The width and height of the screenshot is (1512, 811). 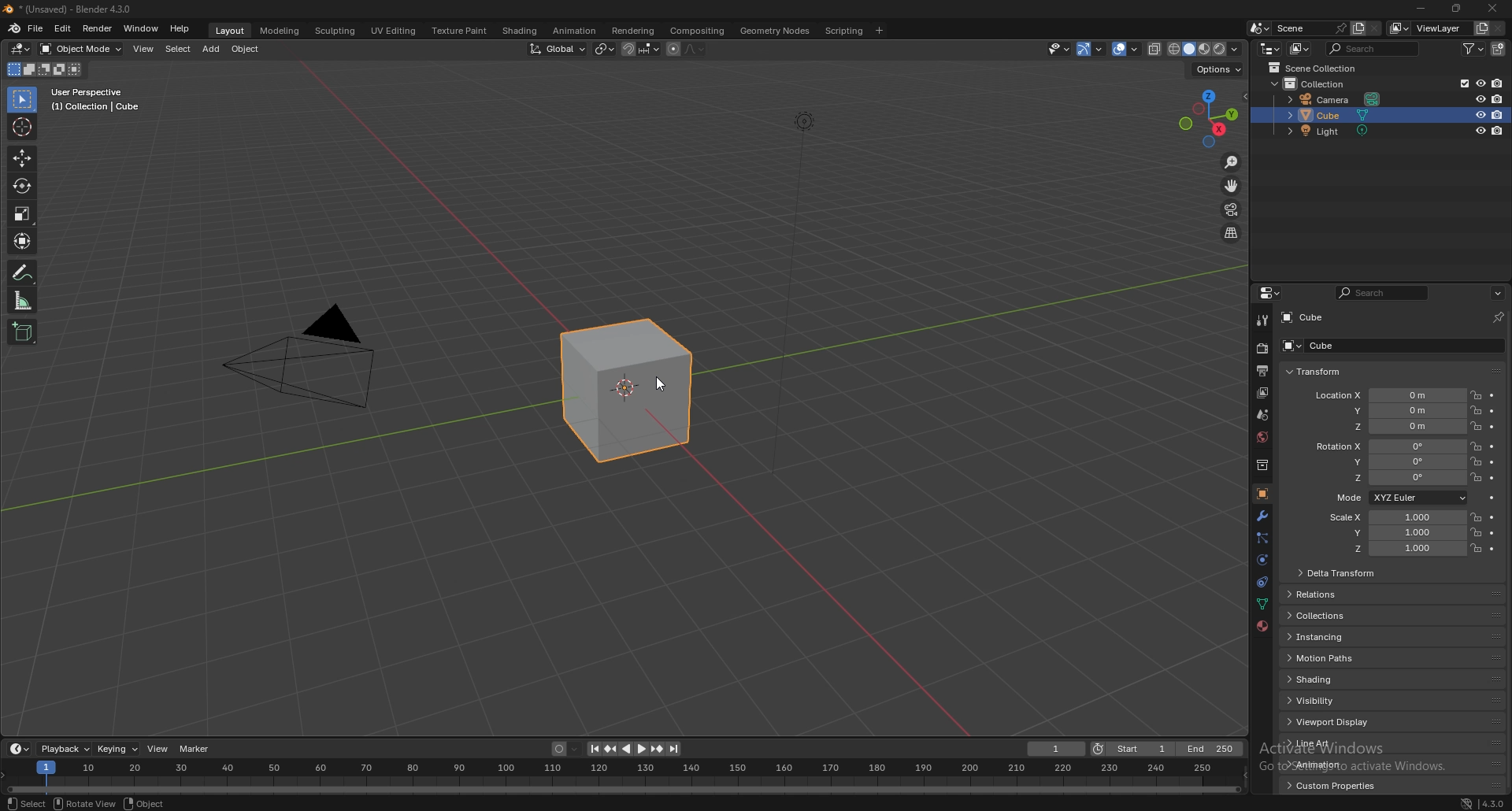 I want to click on location y, so click(x=1389, y=410).